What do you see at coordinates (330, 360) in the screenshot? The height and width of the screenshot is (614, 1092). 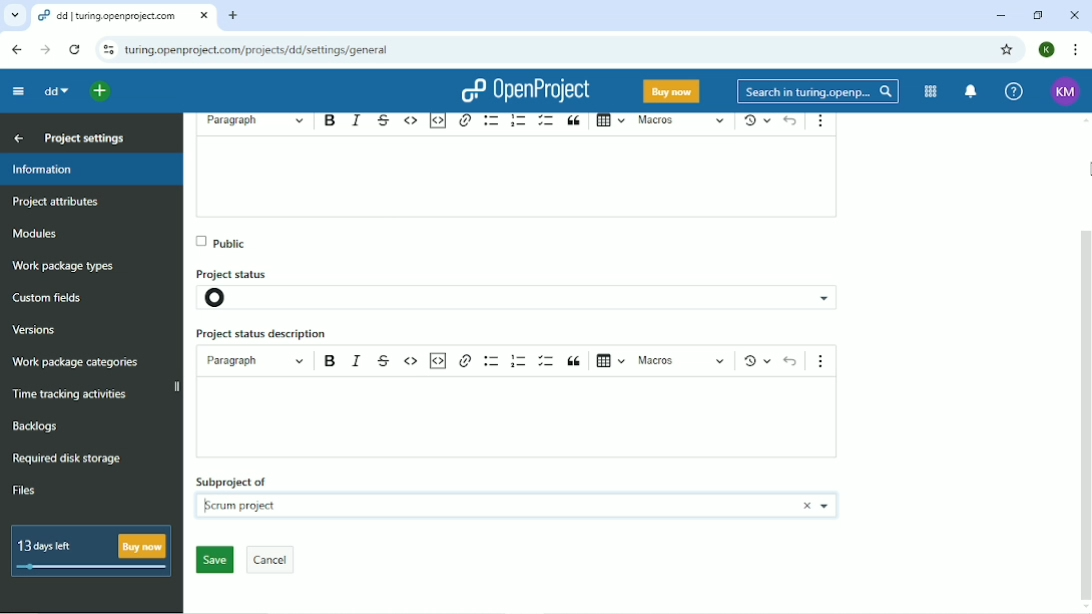 I see `Bold` at bounding box center [330, 360].